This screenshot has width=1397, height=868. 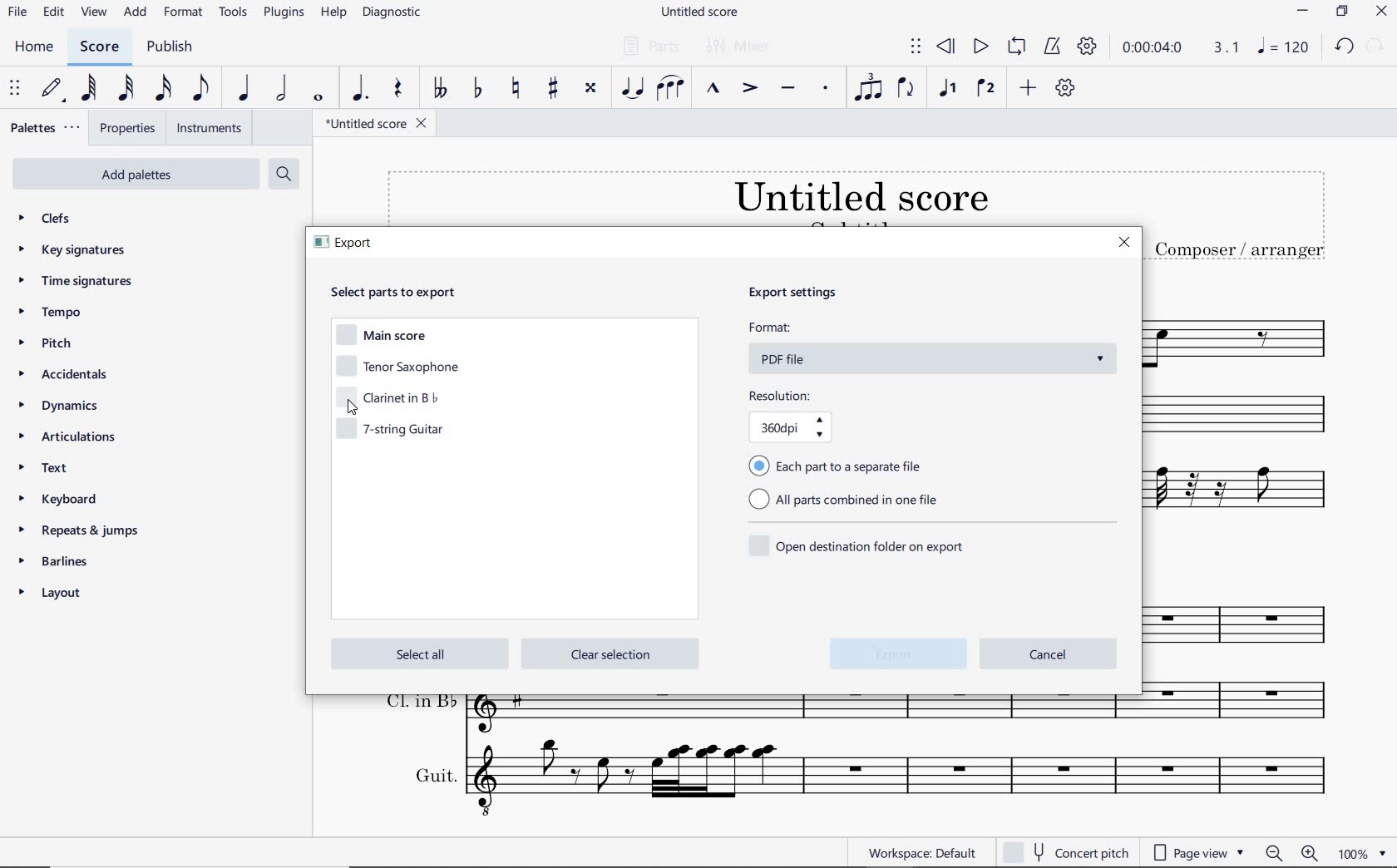 I want to click on EDIT, so click(x=54, y=12).